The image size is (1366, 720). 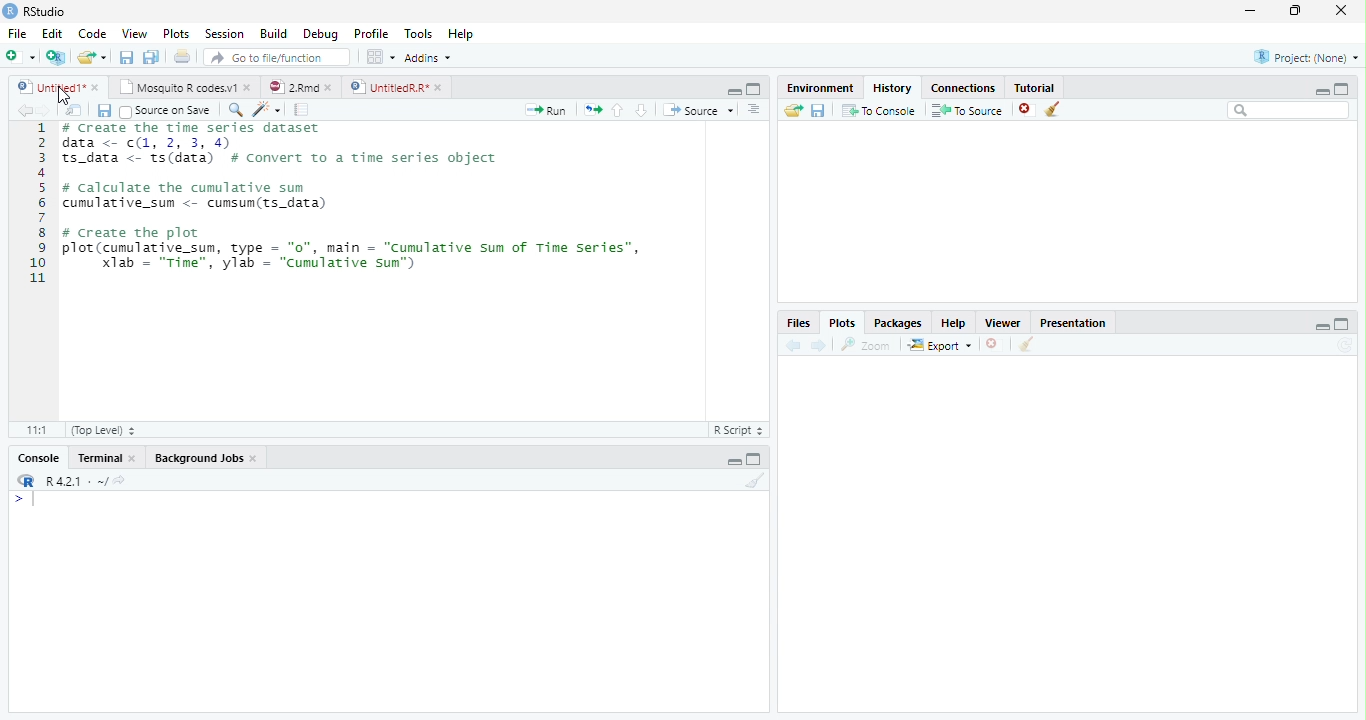 What do you see at coordinates (754, 110) in the screenshot?
I see `Alignment` at bounding box center [754, 110].